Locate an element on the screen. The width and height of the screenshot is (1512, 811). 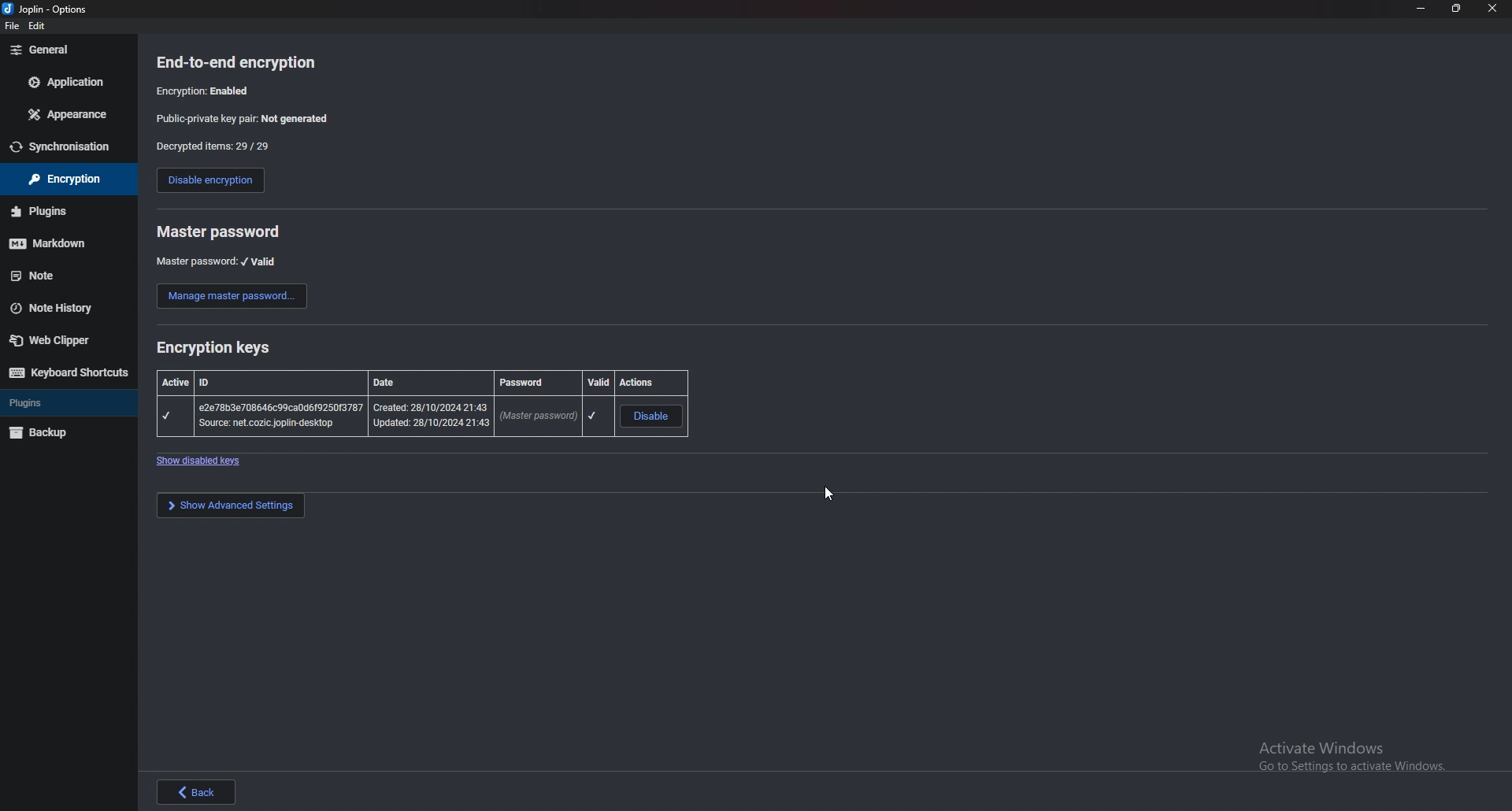
First row is located at coordinates (420, 380).